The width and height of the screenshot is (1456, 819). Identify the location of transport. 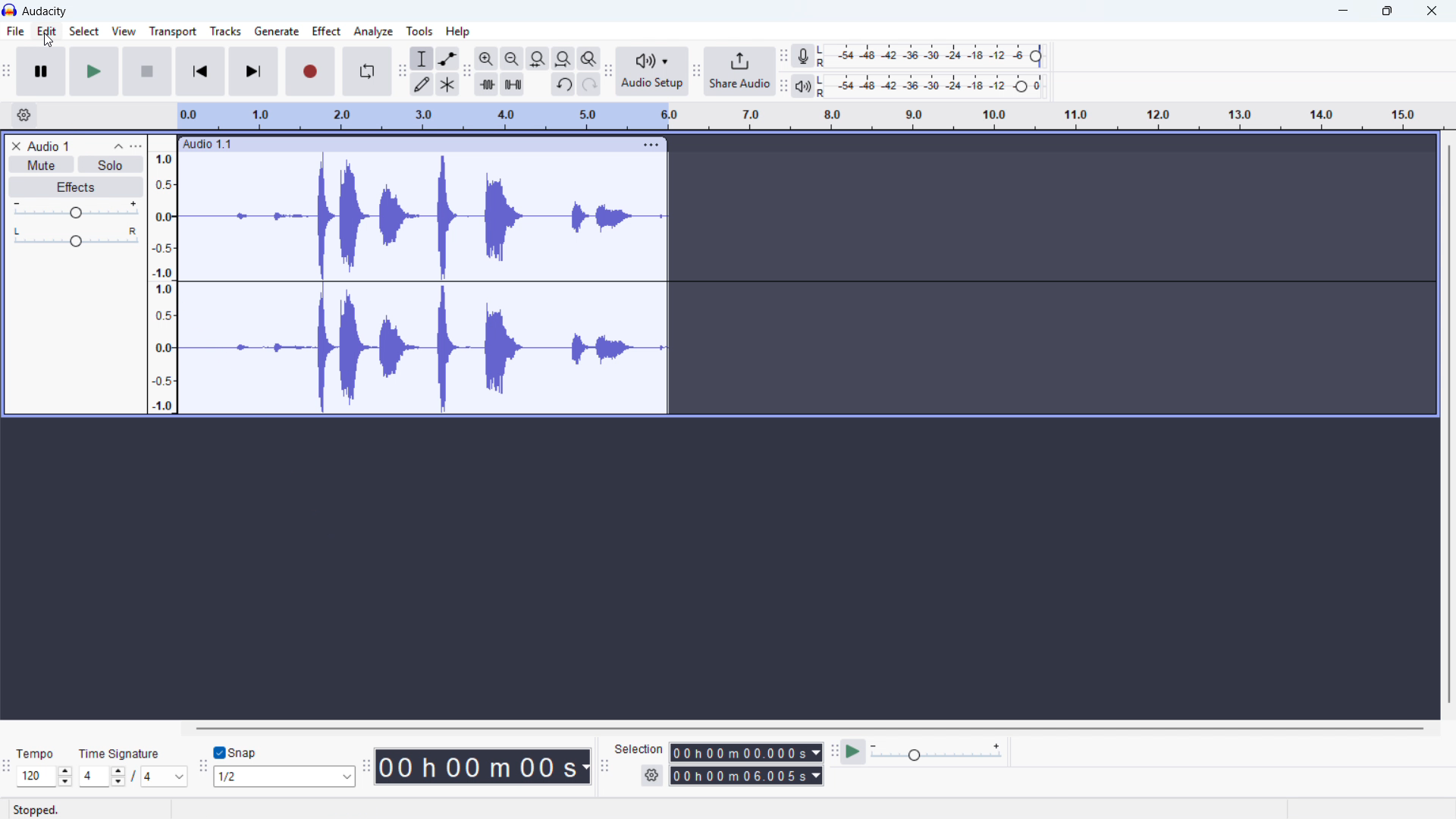
(173, 32).